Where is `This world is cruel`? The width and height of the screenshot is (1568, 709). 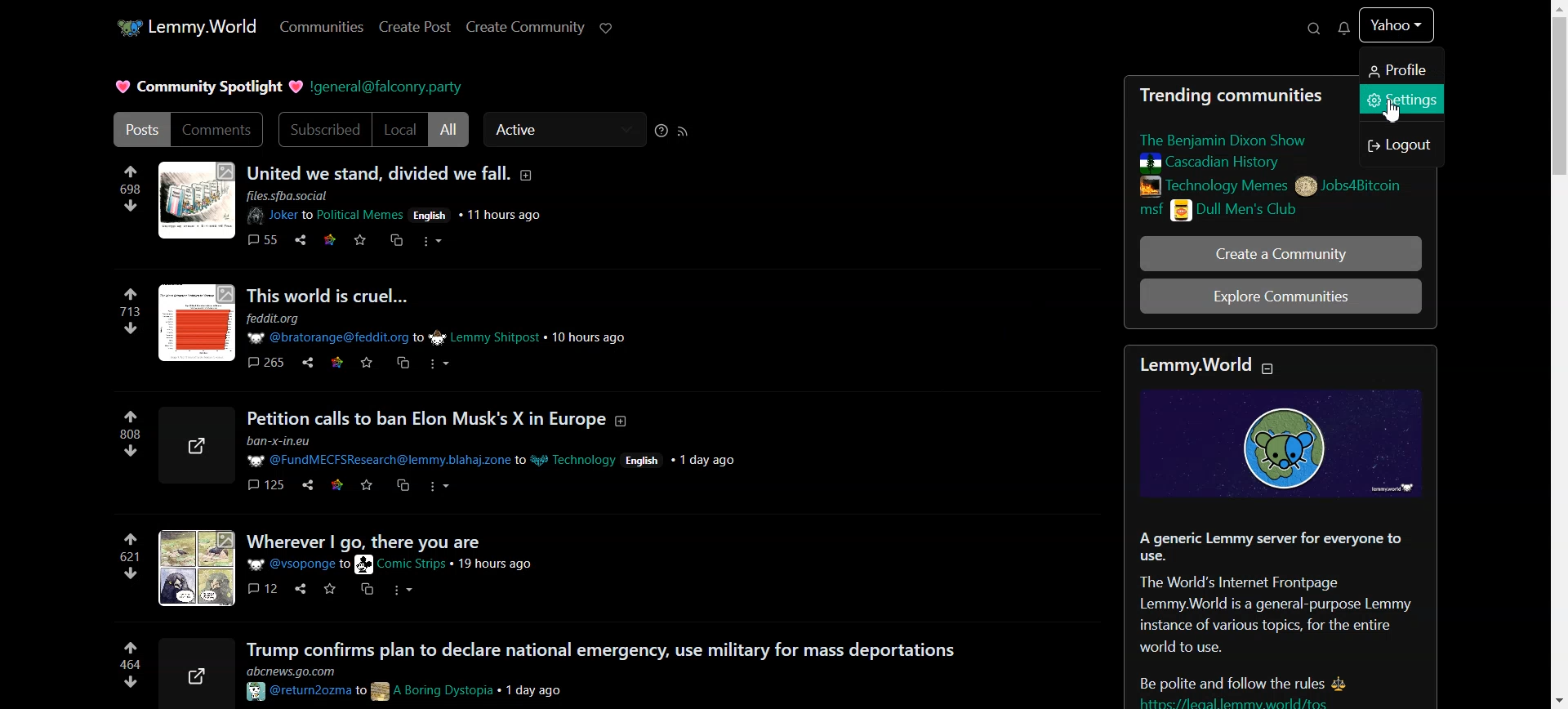 This world is cruel is located at coordinates (323, 297).